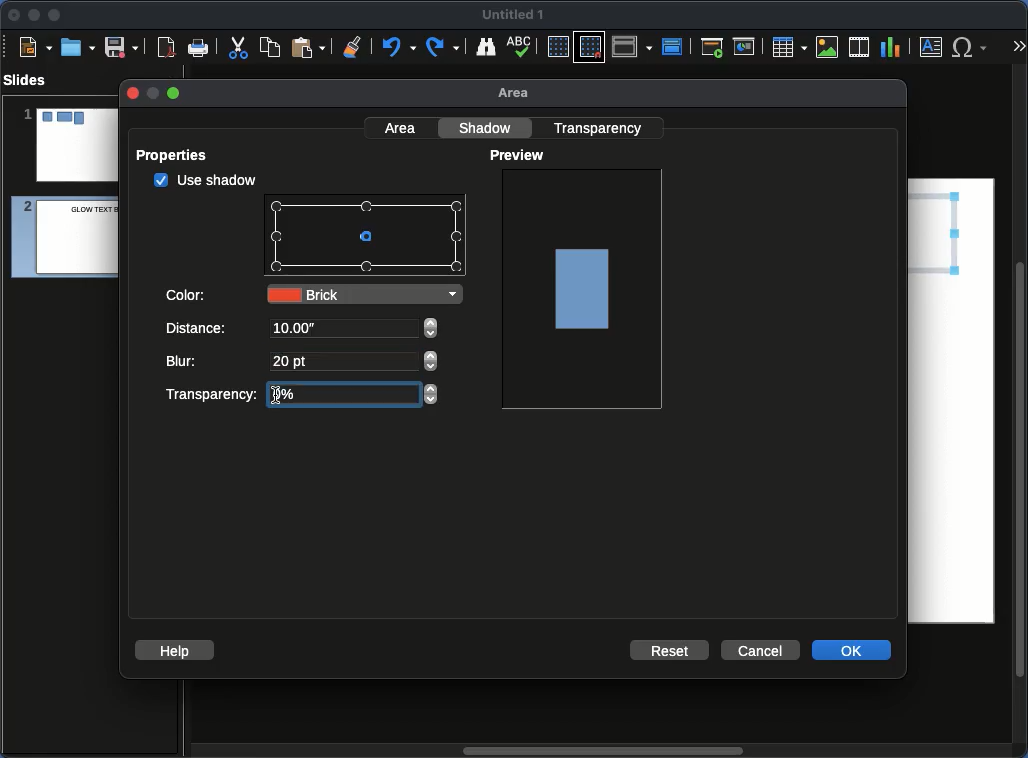 Image resolution: width=1028 pixels, height=758 pixels. Describe the element at coordinates (788, 46) in the screenshot. I see `Table` at that location.